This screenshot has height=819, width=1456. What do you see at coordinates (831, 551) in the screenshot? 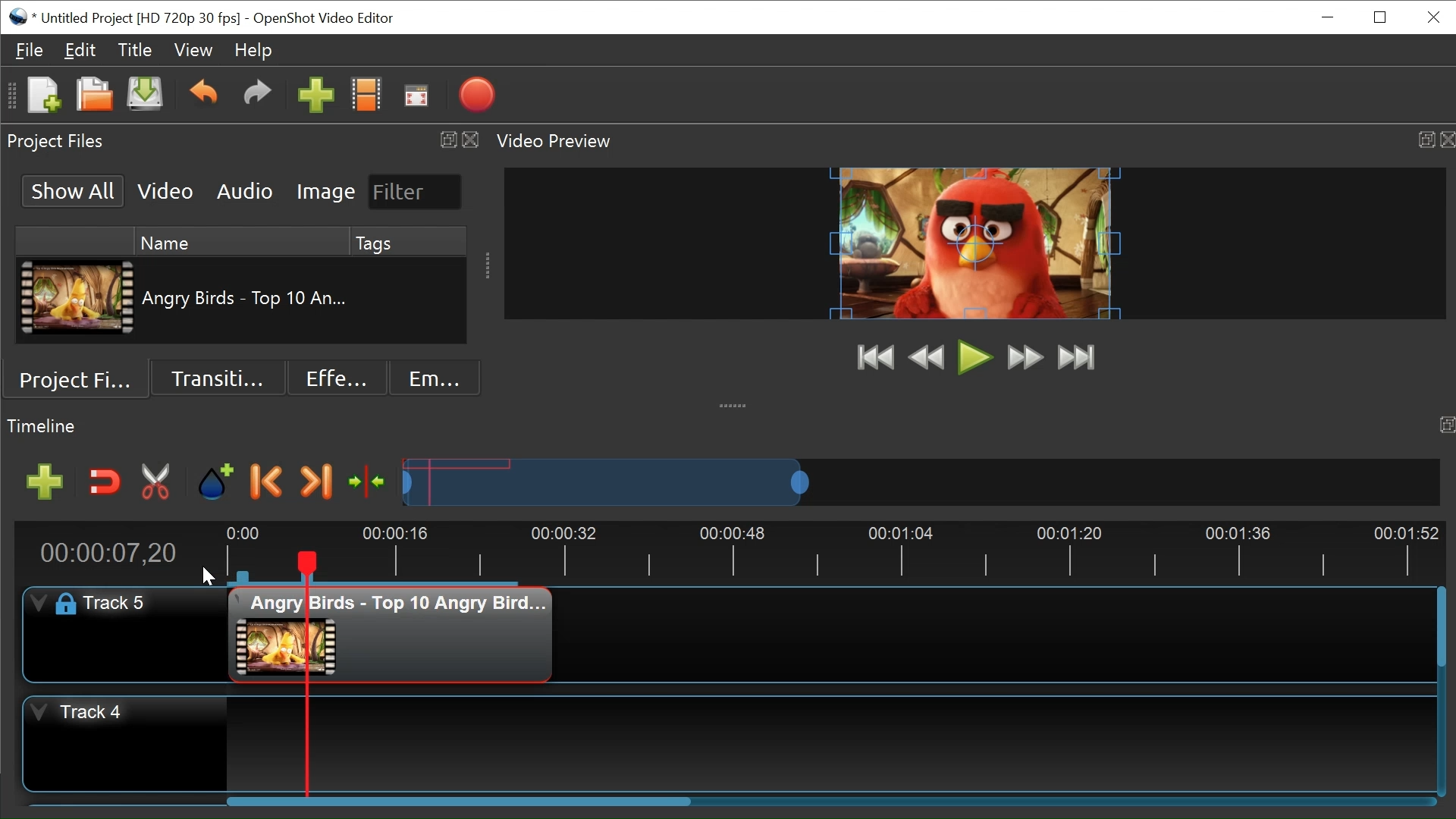
I see `Timeline` at bounding box center [831, 551].